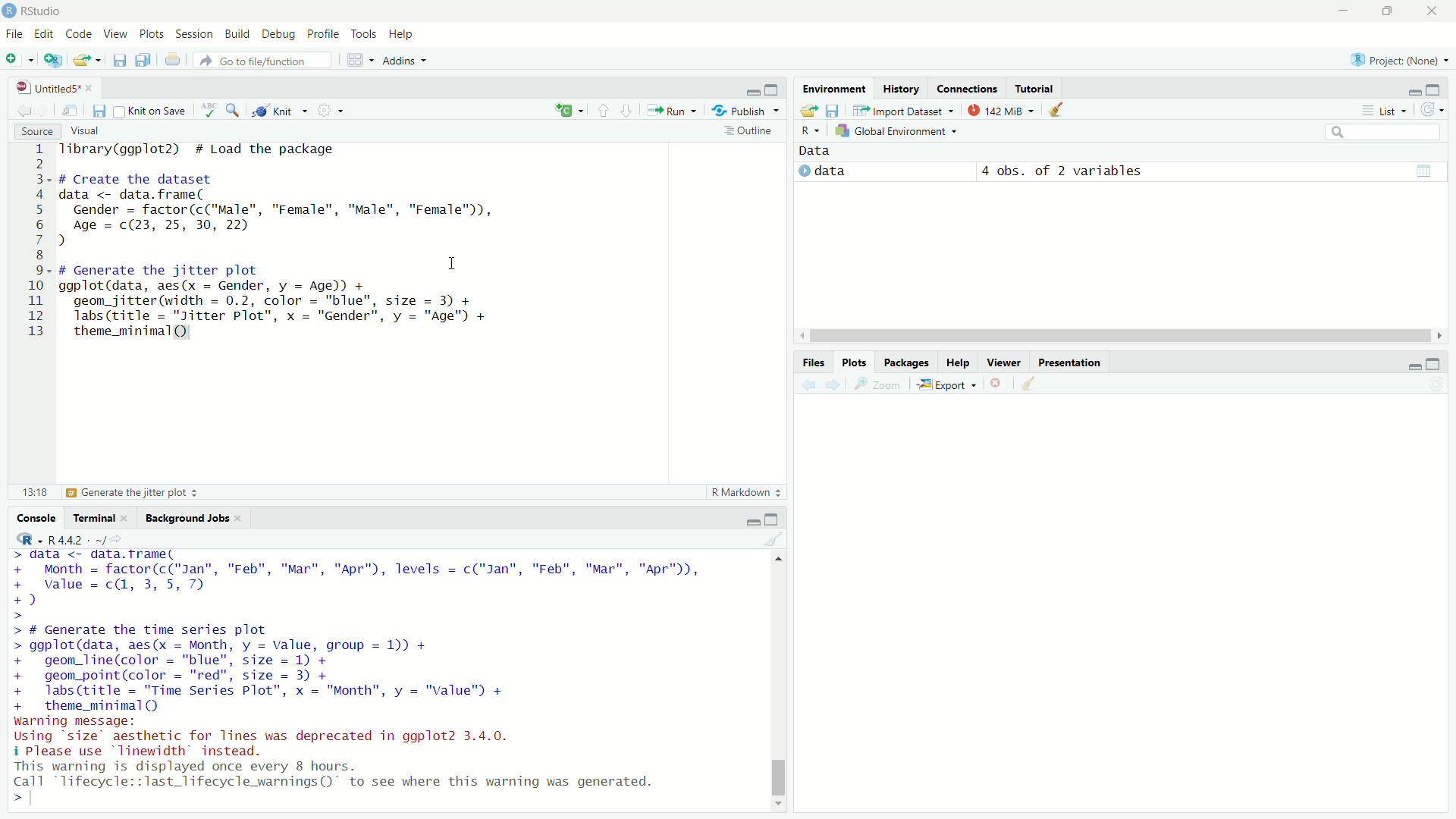 The height and width of the screenshot is (819, 1456). Describe the element at coordinates (834, 111) in the screenshot. I see `save workspace as` at that location.